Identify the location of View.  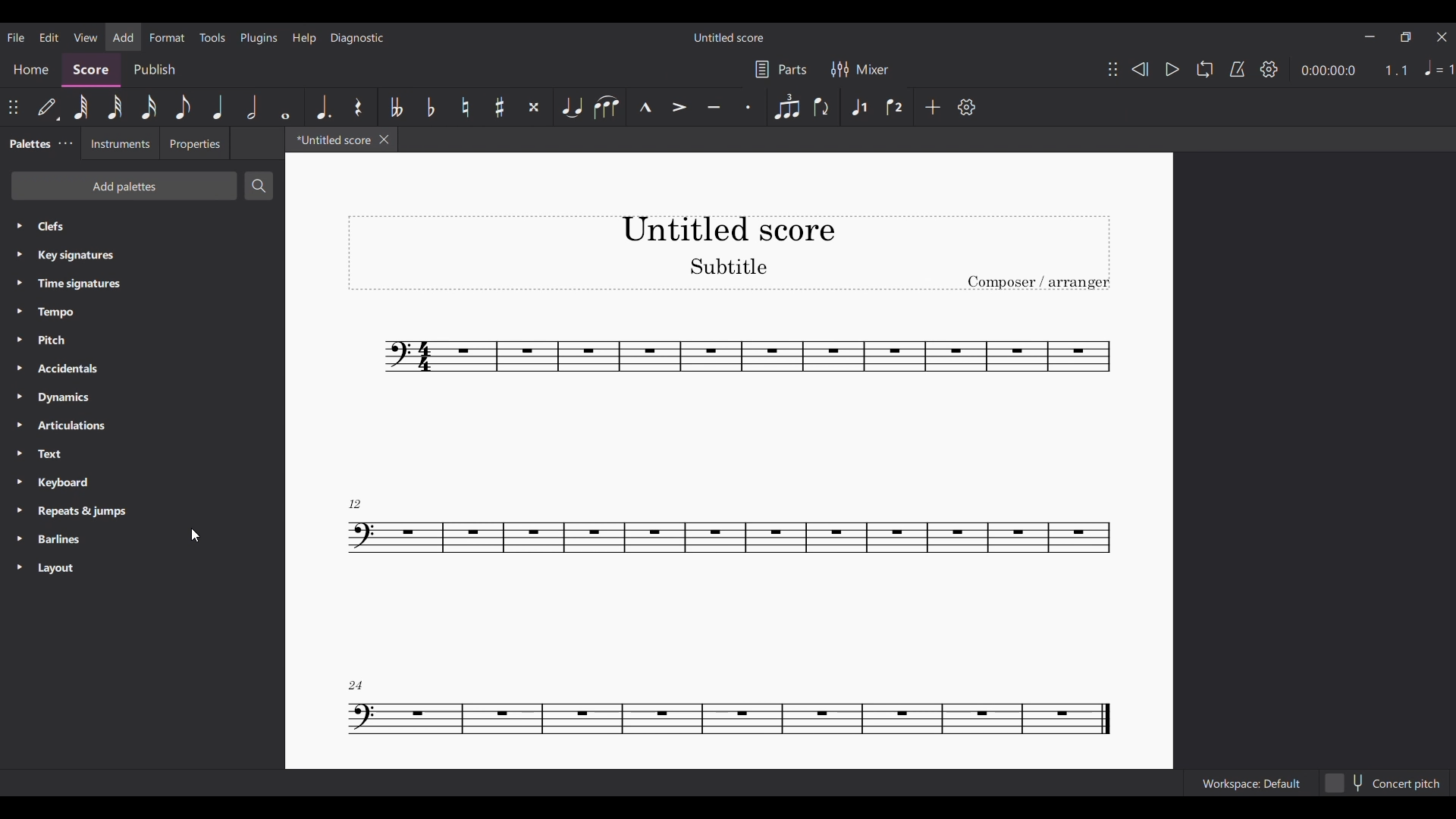
(86, 36).